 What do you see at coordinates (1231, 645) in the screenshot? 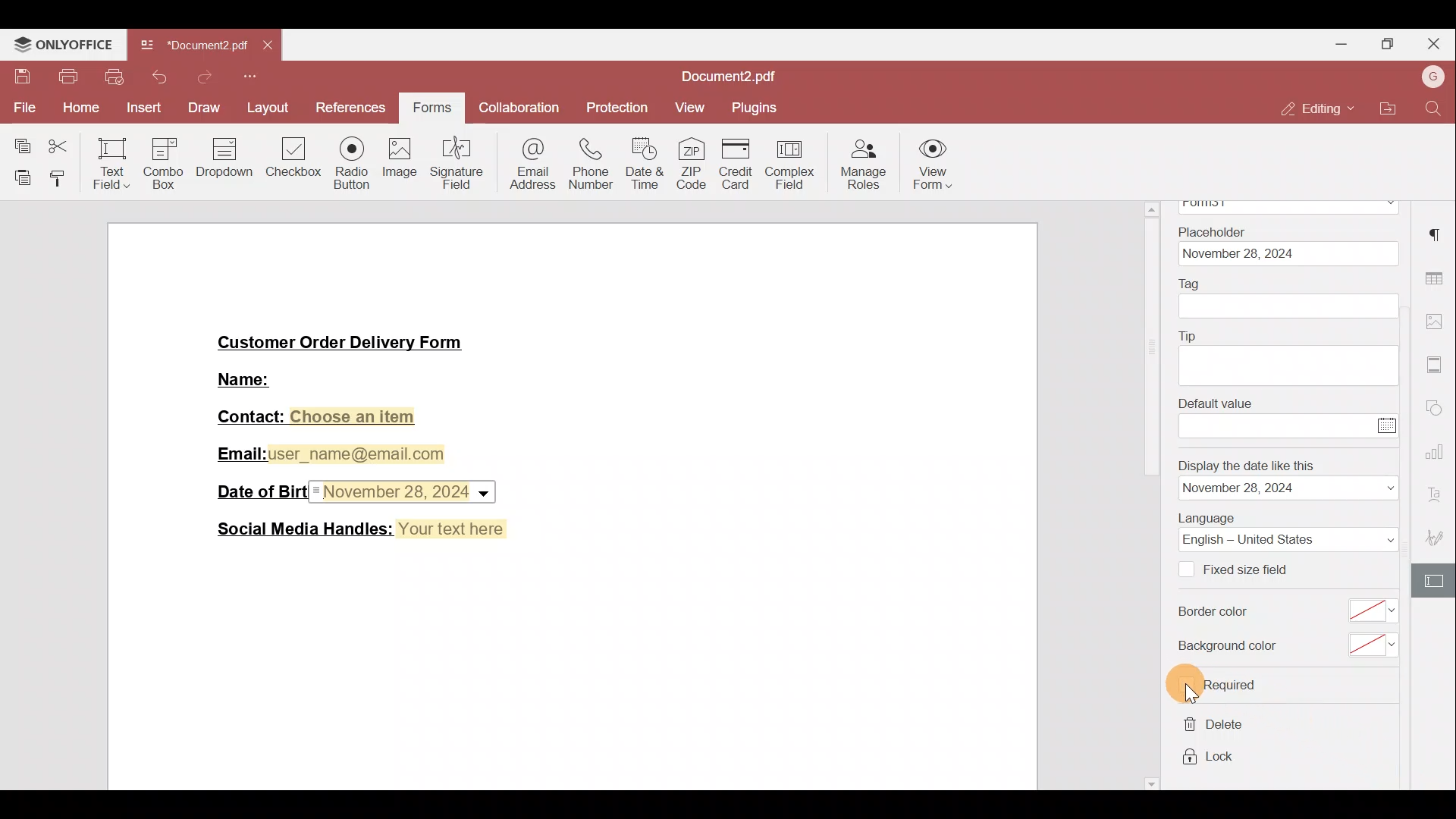
I see `Background color` at bounding box center [1231, 645].